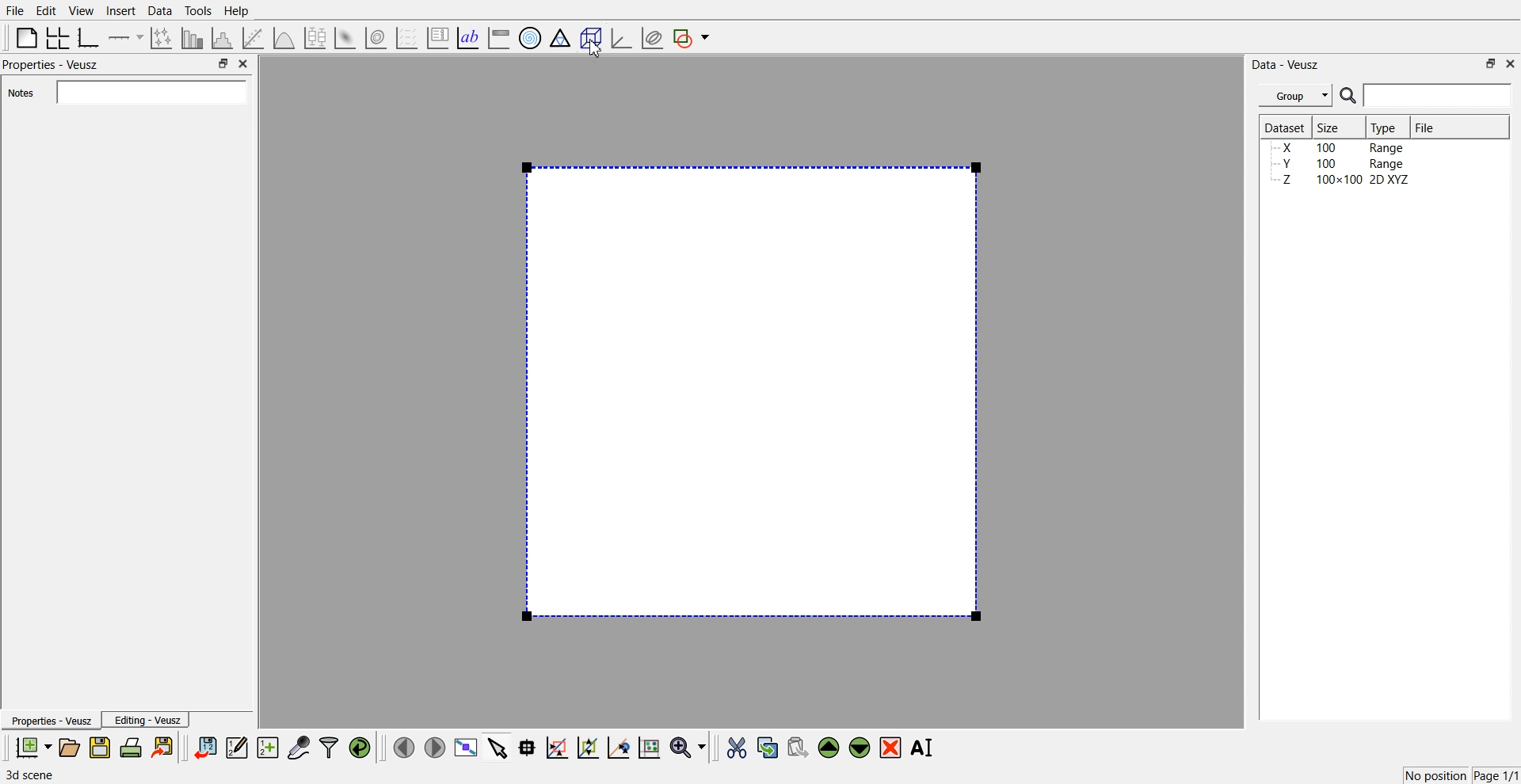 Image resolution: width=1521 pixels, height=784 pixels. What do you see at coordinates (267, 748) in the screenshot?
I see `Create new dataset for ranging` at bounding box center [267, 748].